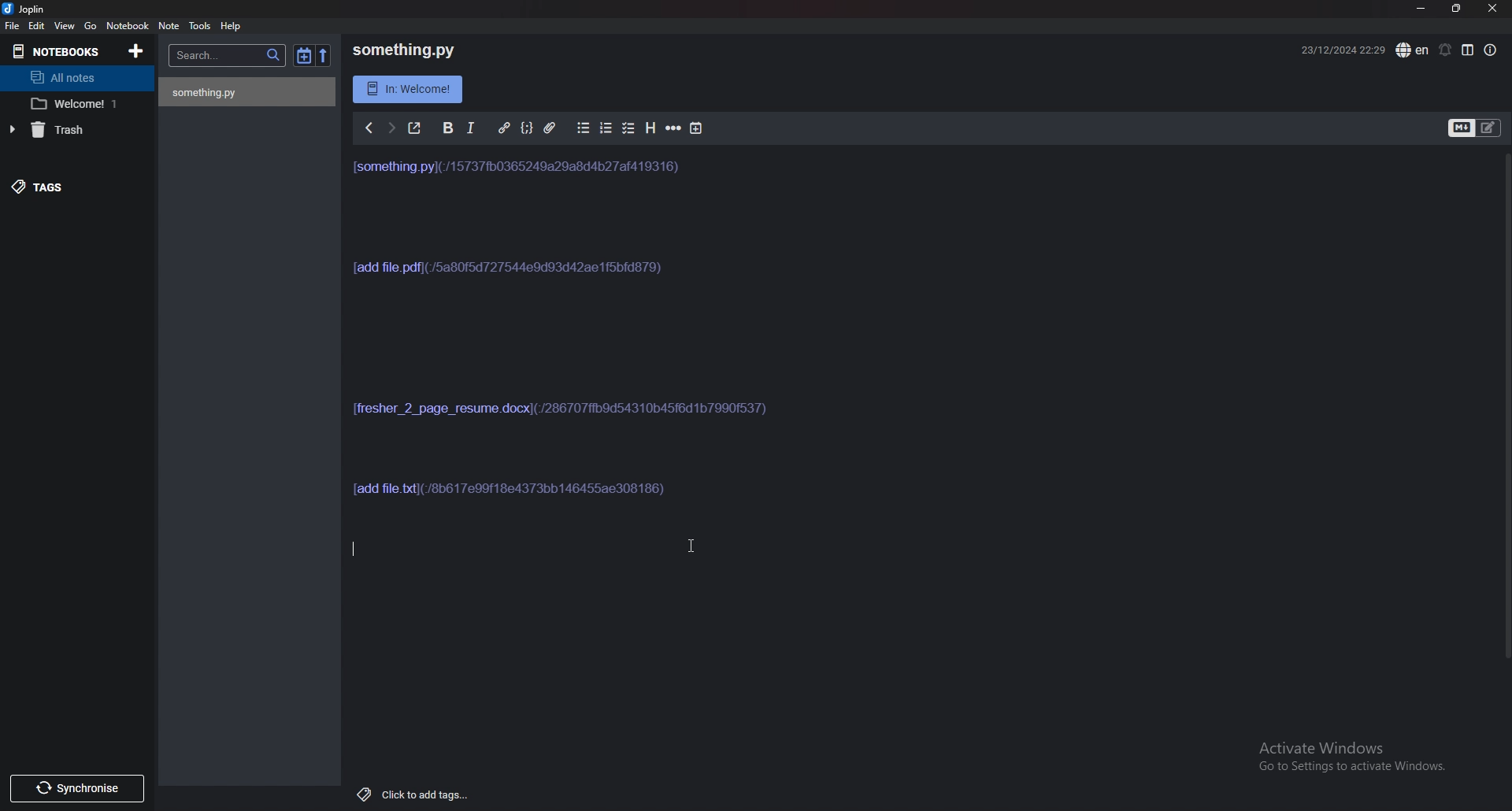  What do you see at coordinates (90, 27) in the screenshot?
I see `go` at bounding box center [90, 27].